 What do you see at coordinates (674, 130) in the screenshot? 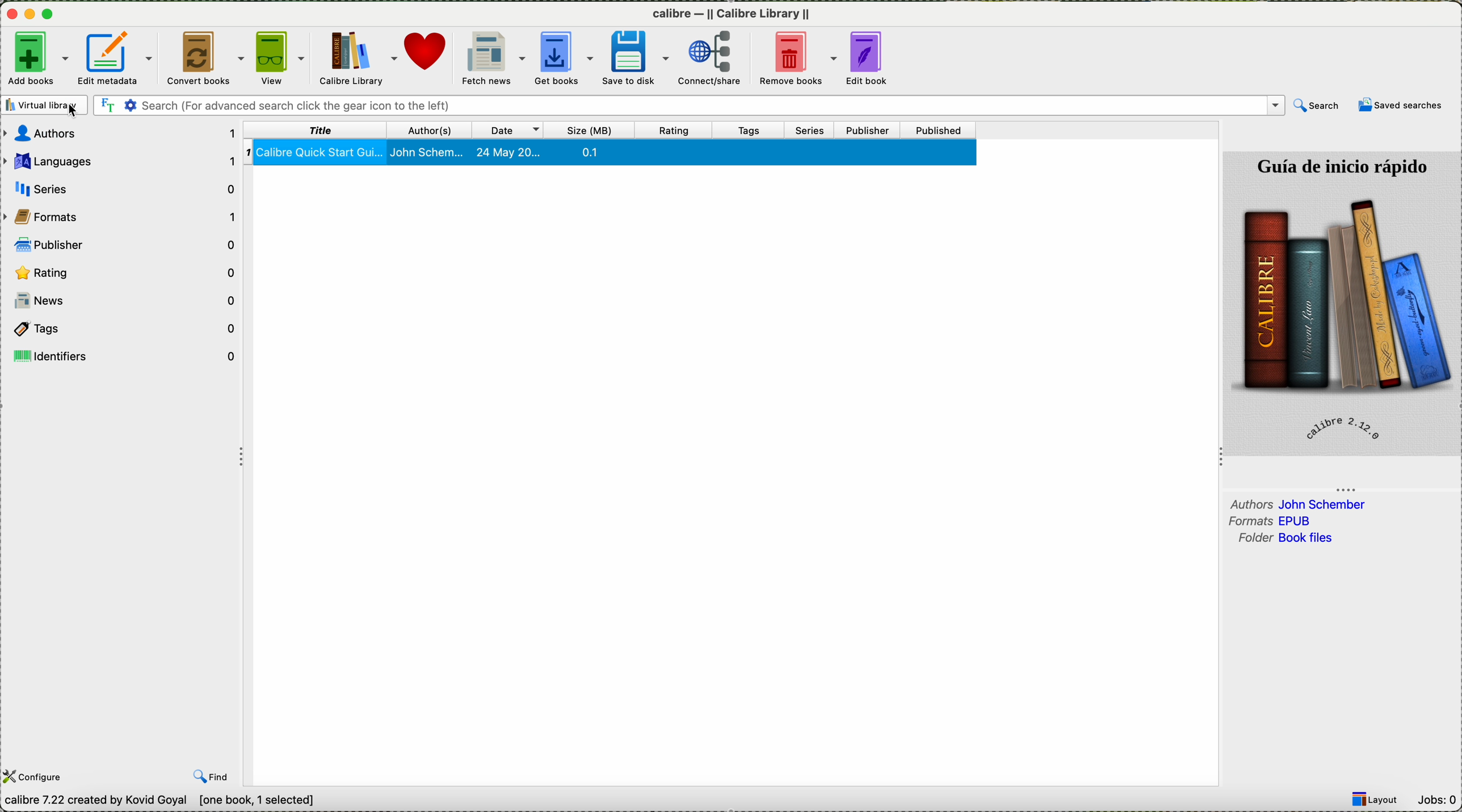
I see `rating` at bounding box center [674, 130].